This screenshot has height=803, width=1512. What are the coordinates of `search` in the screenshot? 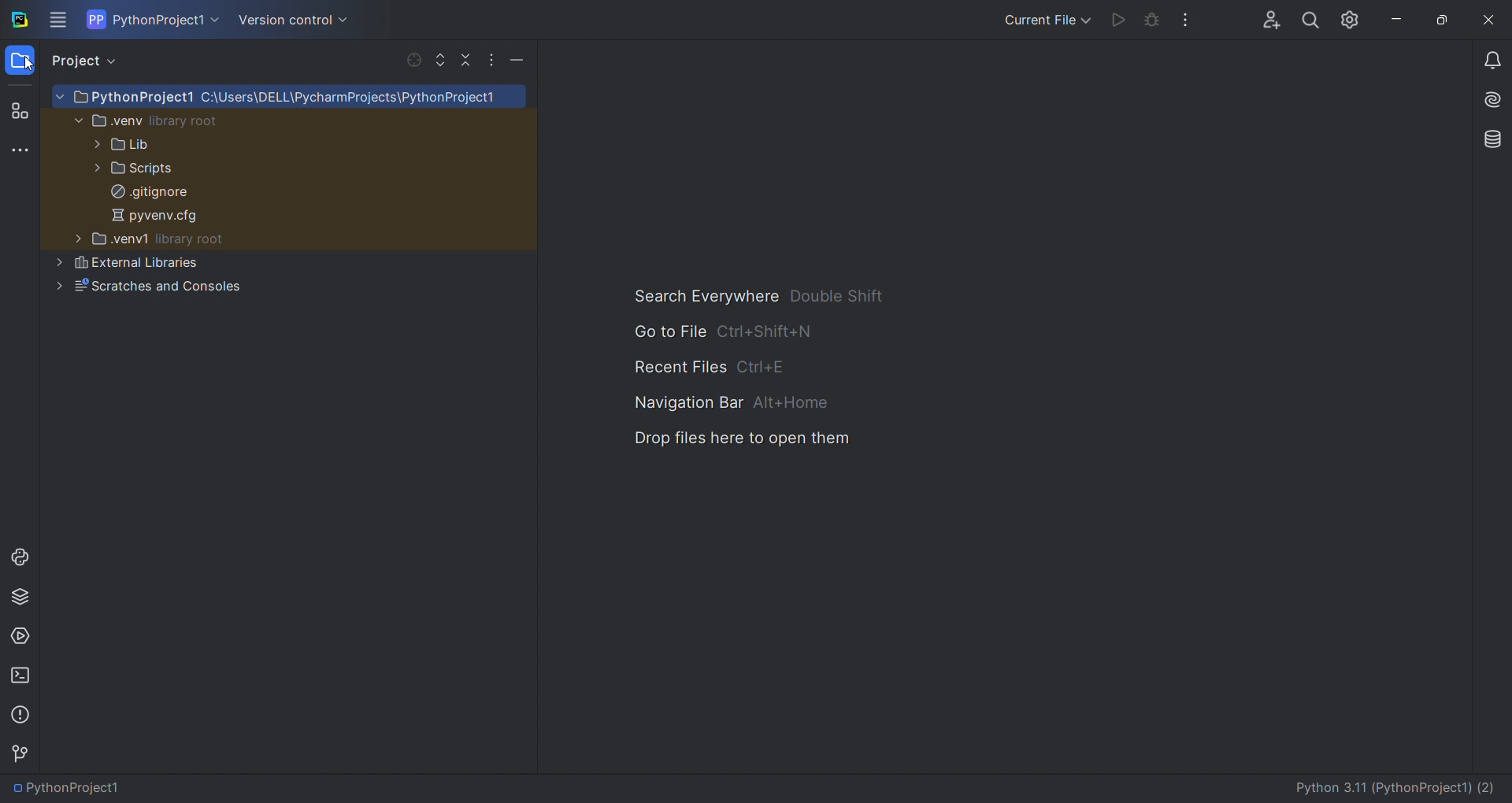 It's located at (1309, 20).